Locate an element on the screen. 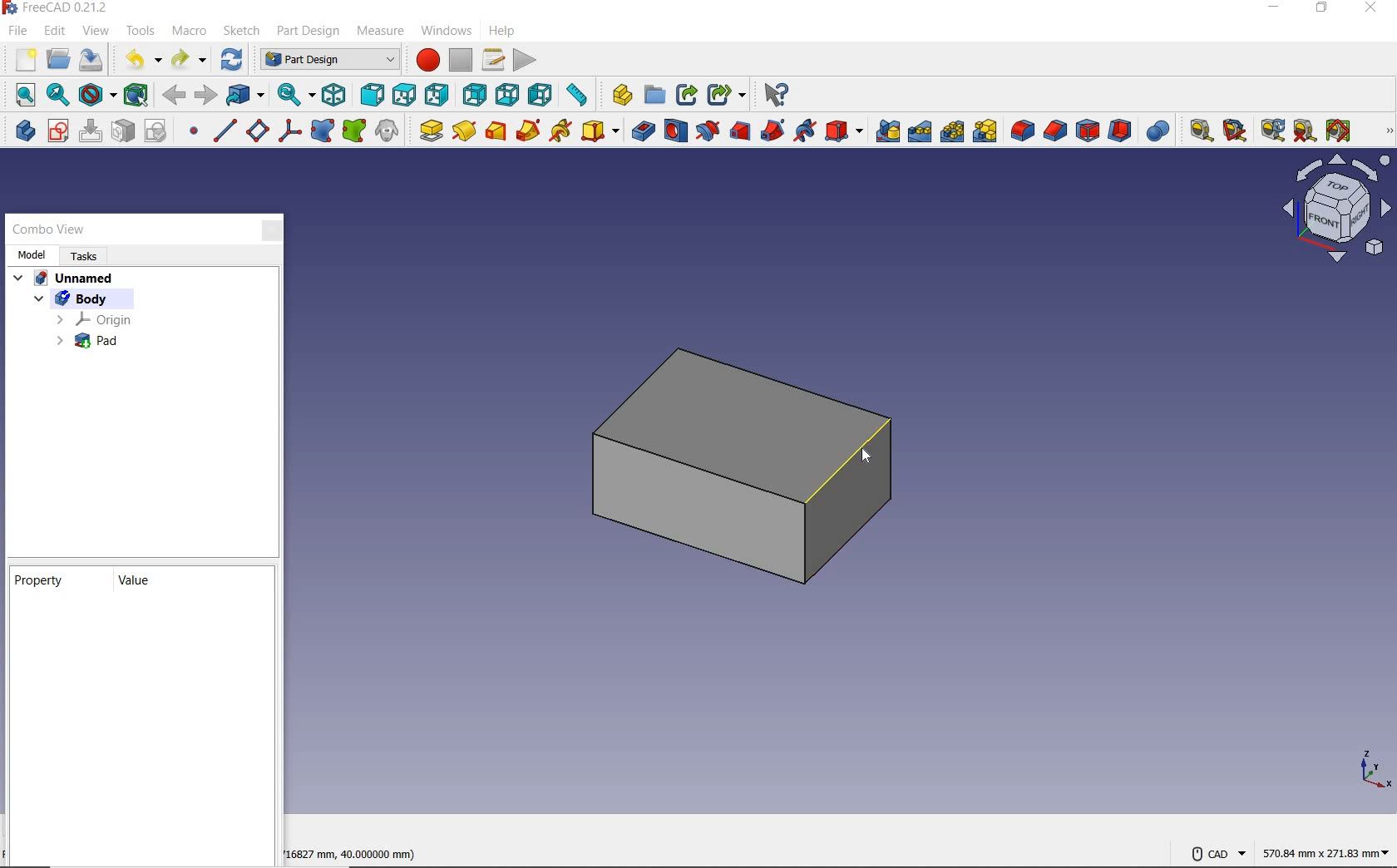 Image resolution: width=1397 pixels, height=868 pixels. additive pipe is located at coordinates (529, 131).